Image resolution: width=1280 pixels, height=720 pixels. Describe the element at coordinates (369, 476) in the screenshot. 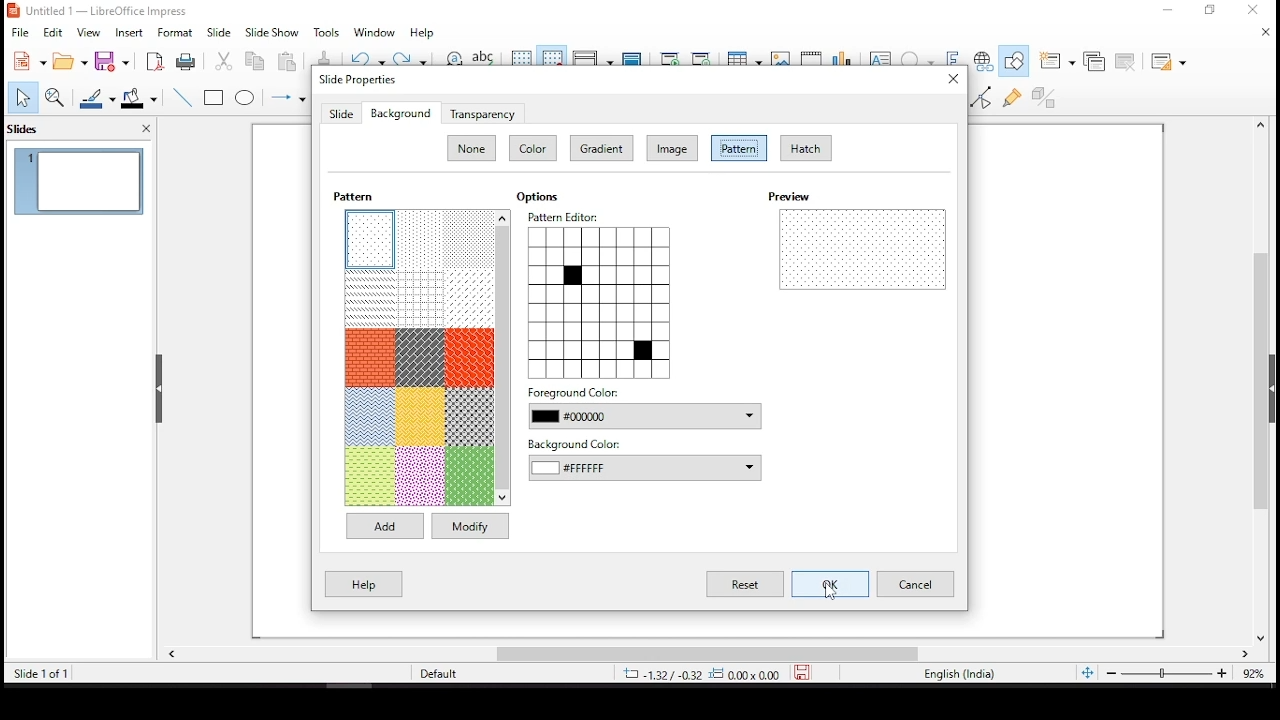

I see `pattern` at that location.